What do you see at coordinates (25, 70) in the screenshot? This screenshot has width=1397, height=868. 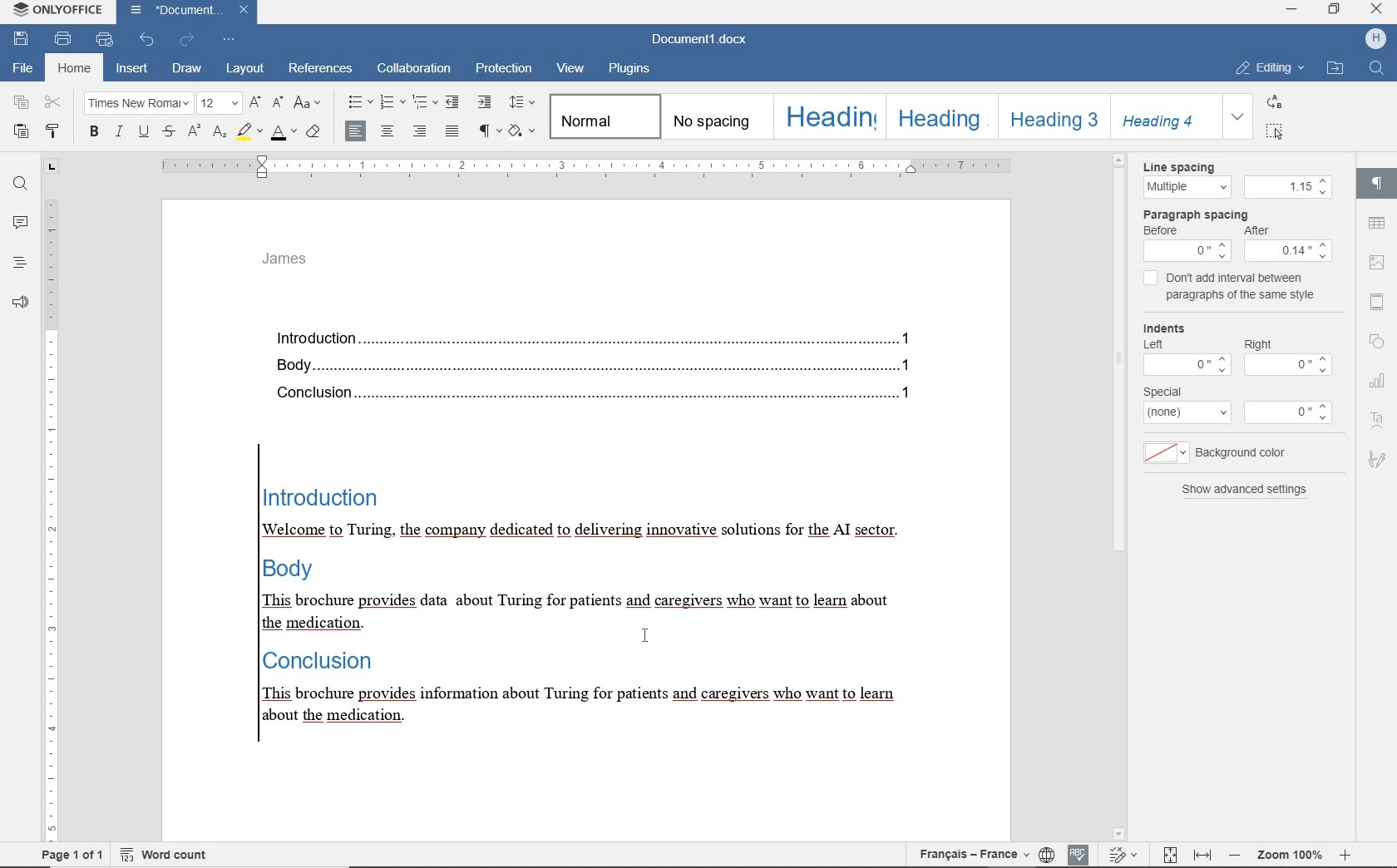 I see `file` at bounding box center [25, 70].